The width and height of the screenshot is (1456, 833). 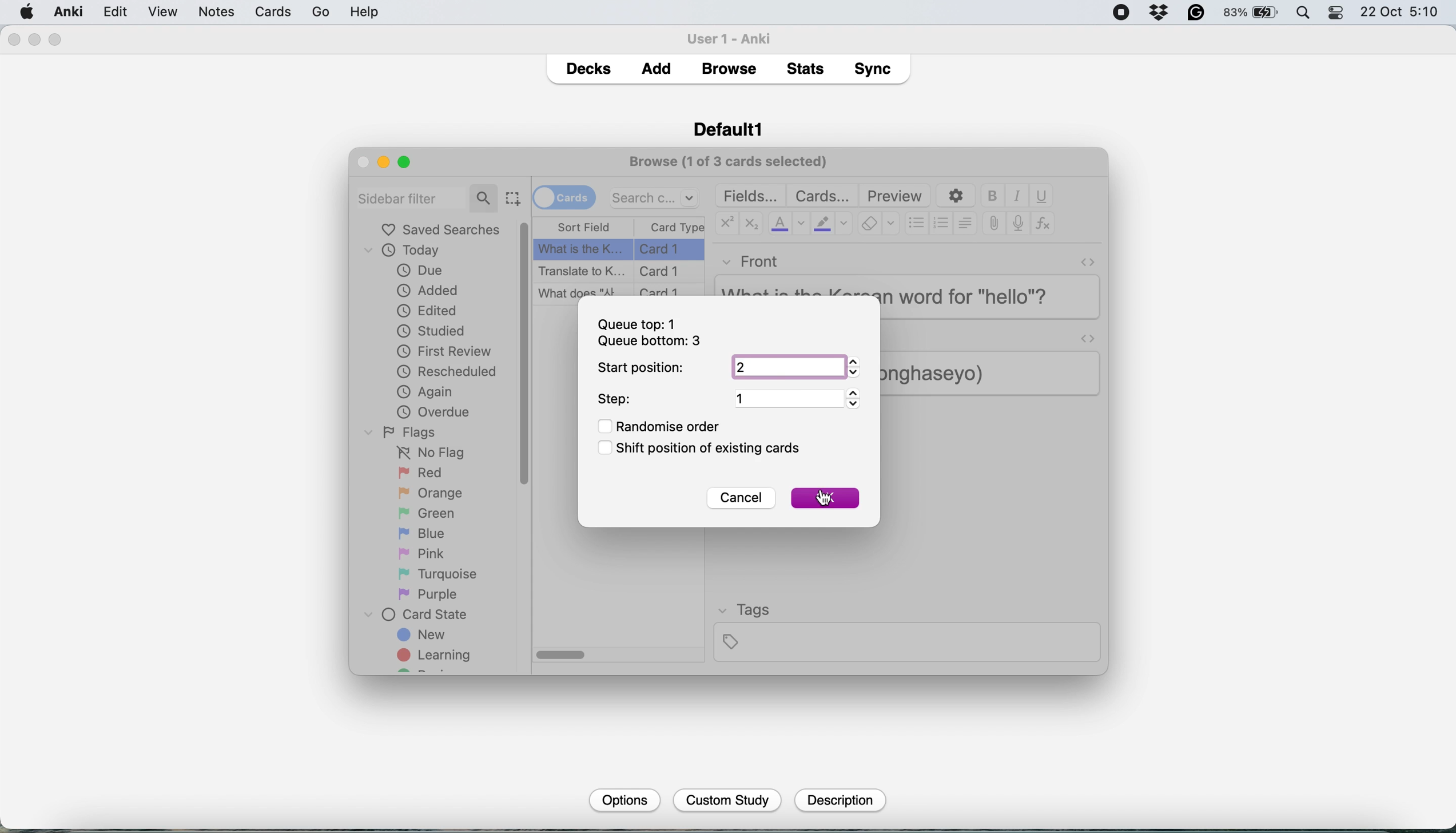 What do you see at coordinates (432, 330) in the screenshot?
I see `studied` at bounding box center [432, 330].